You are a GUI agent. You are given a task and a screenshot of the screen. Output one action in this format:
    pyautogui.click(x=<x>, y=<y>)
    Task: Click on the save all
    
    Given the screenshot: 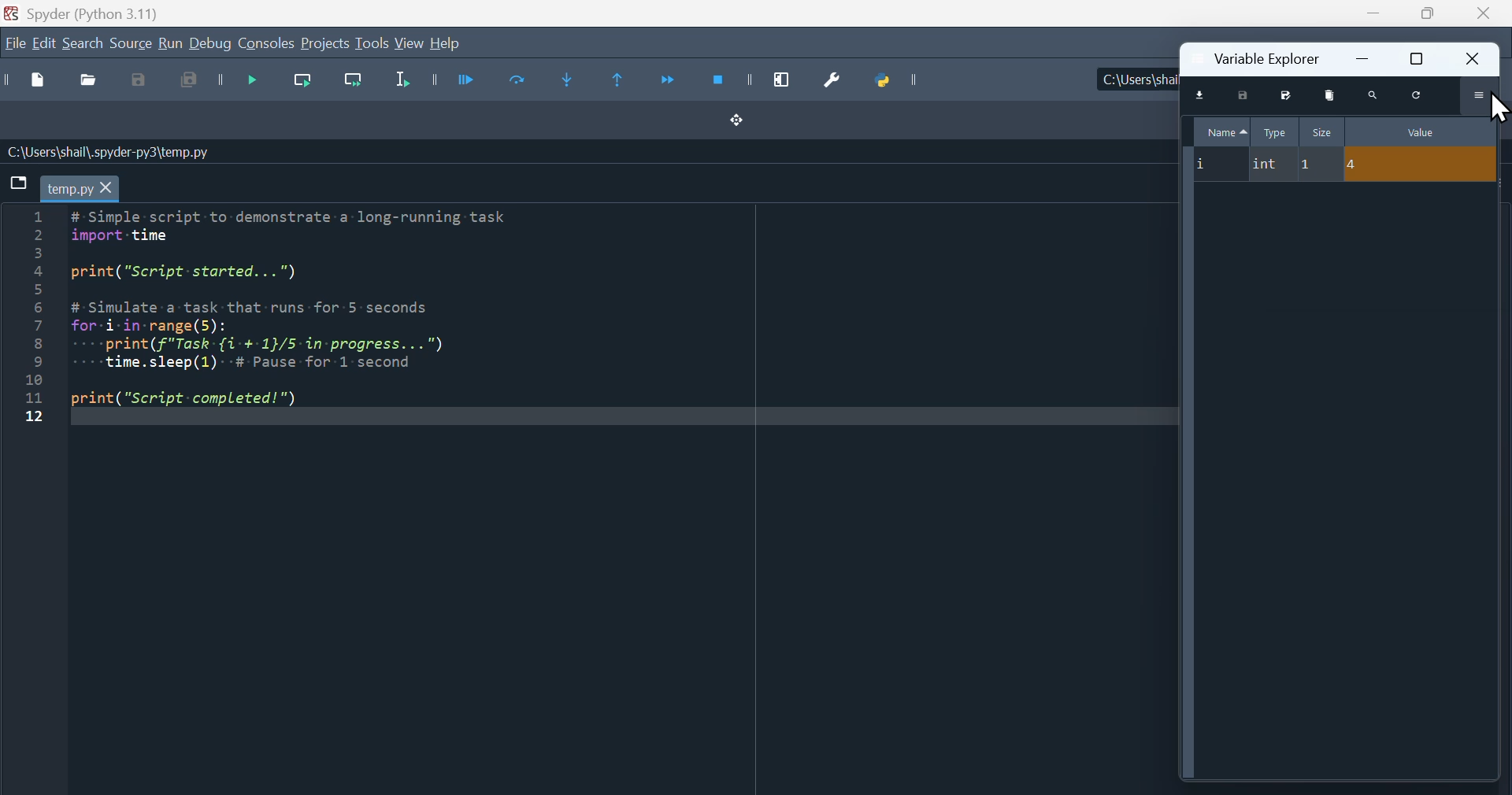 What is the action you would take?
    pyautogui.click(x=191, y=85)
    